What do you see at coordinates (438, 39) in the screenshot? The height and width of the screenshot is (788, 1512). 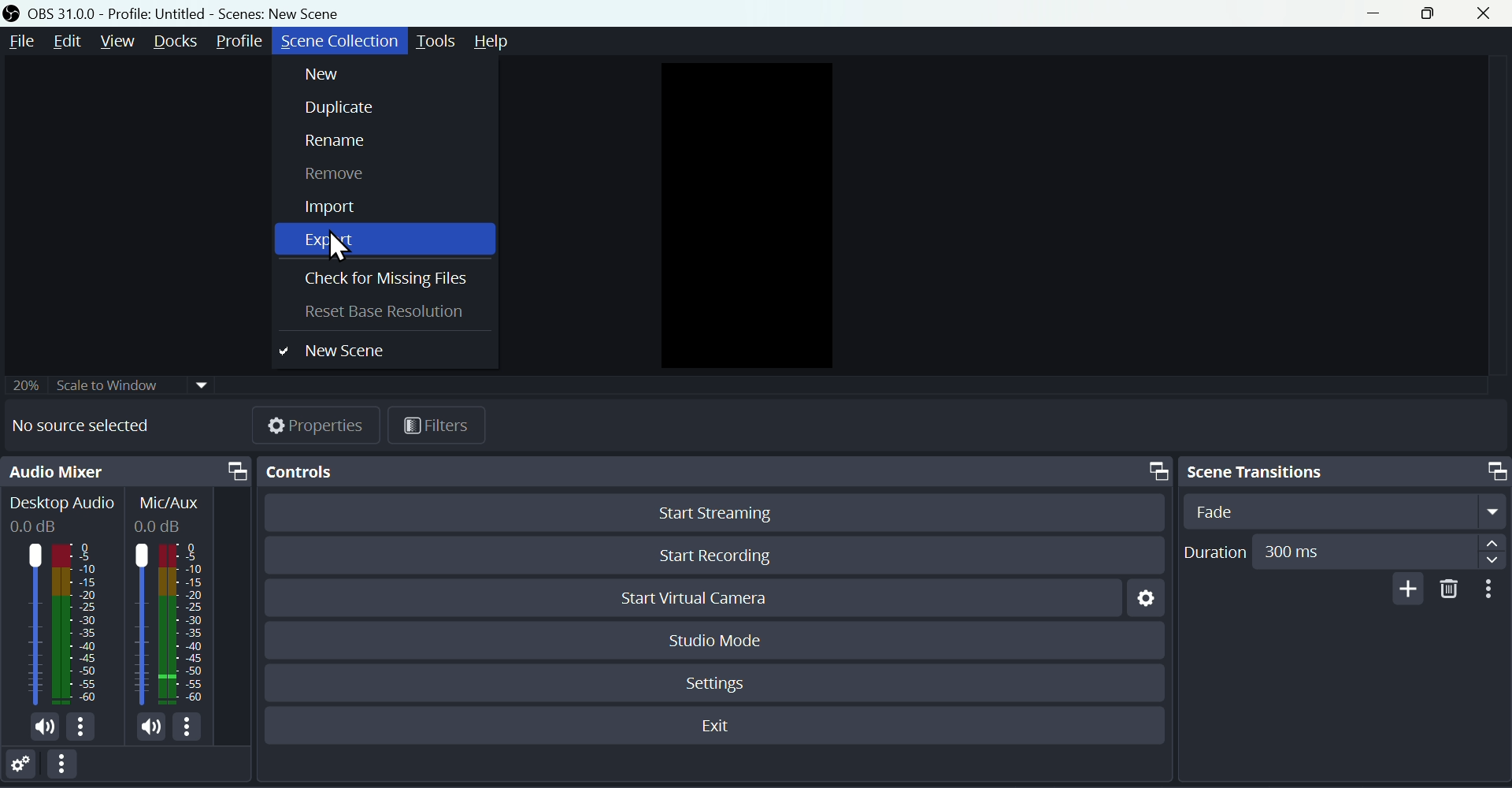 I see `Tools` at bounding box center [438, 39].